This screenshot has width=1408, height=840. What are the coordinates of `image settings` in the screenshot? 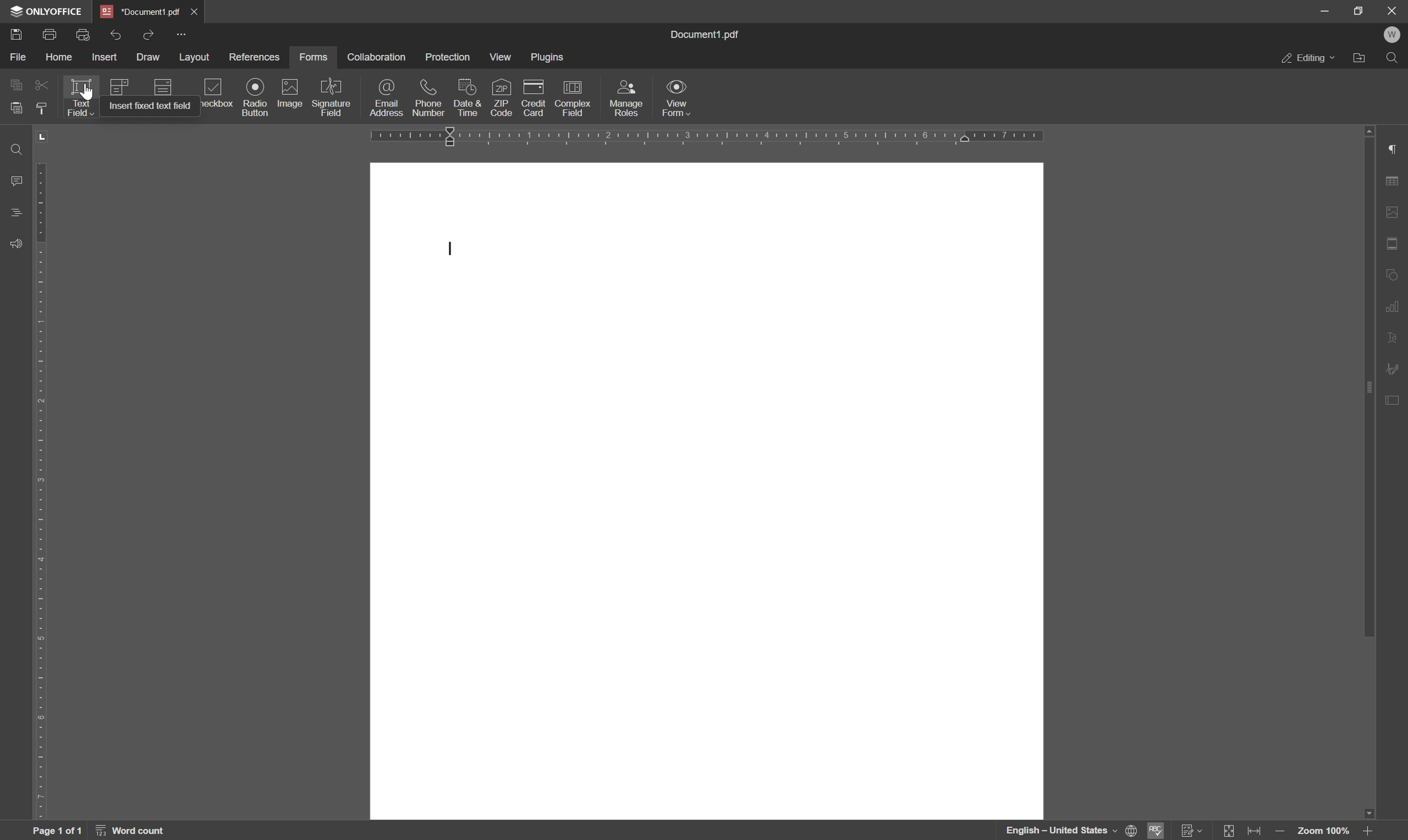 It's located at (1395, 213).